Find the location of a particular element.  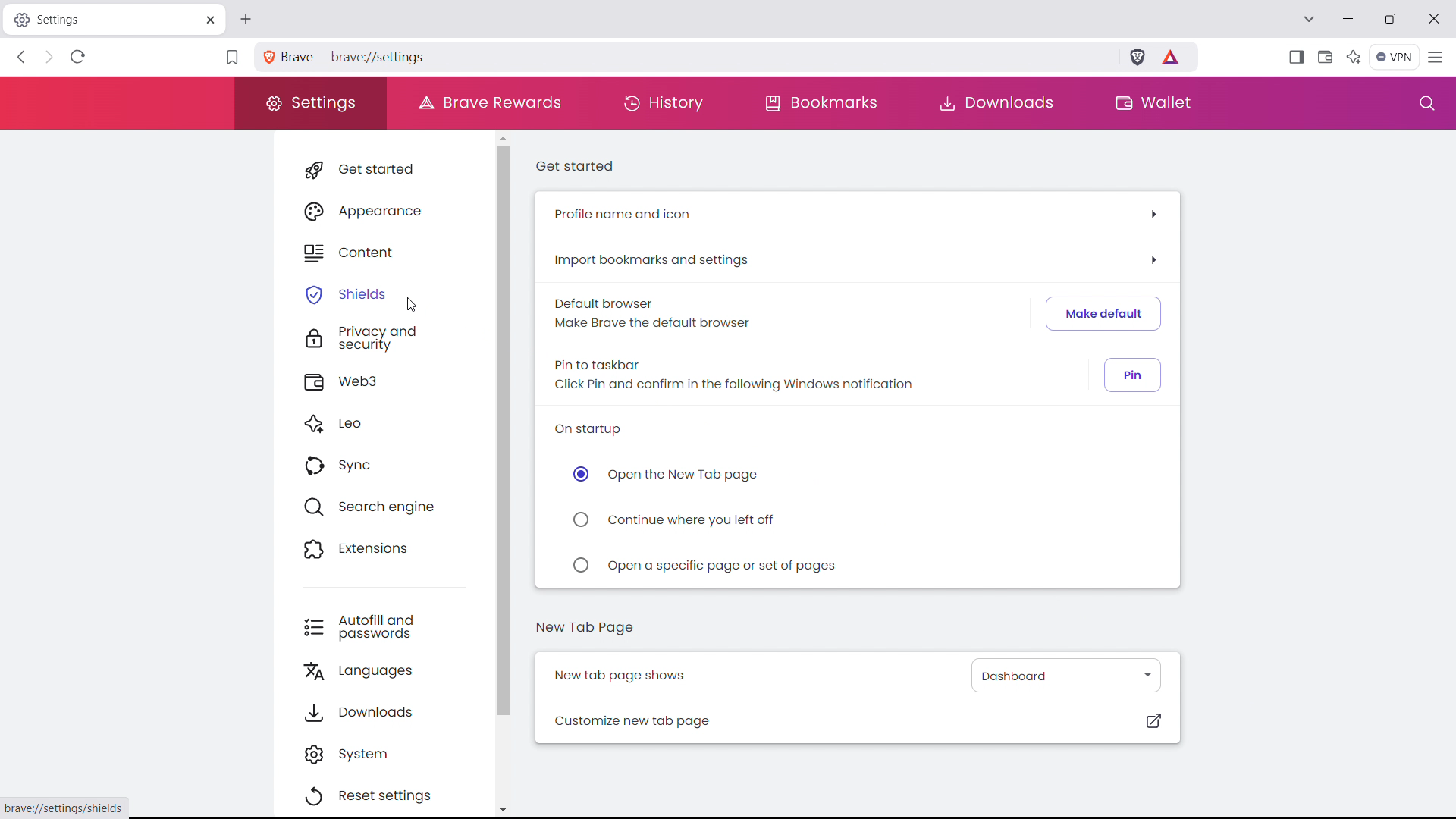

Pin to taskbar is located at coordinates (603, 363).